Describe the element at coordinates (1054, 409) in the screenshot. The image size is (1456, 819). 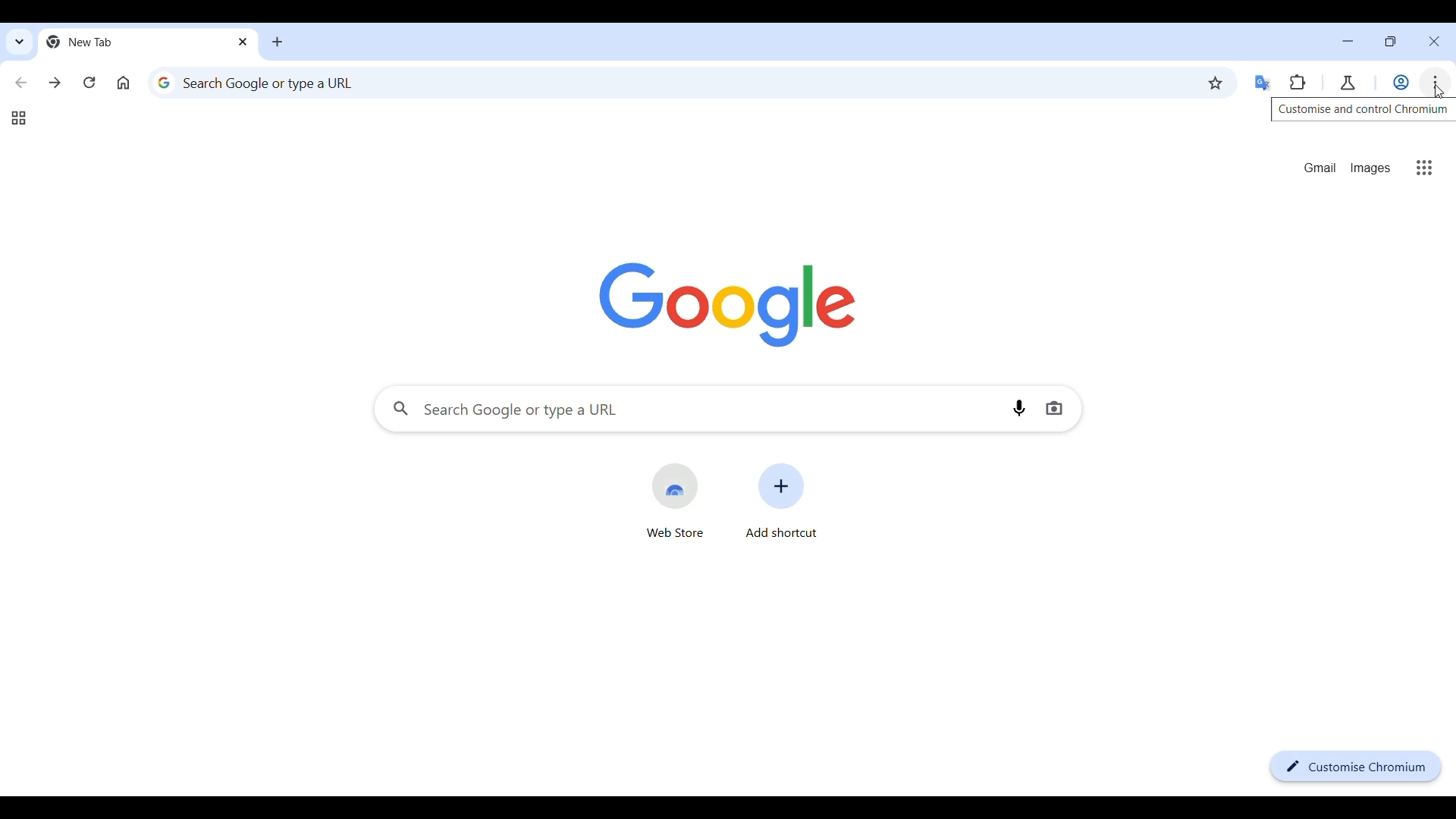
I see `Search by images` at that location.